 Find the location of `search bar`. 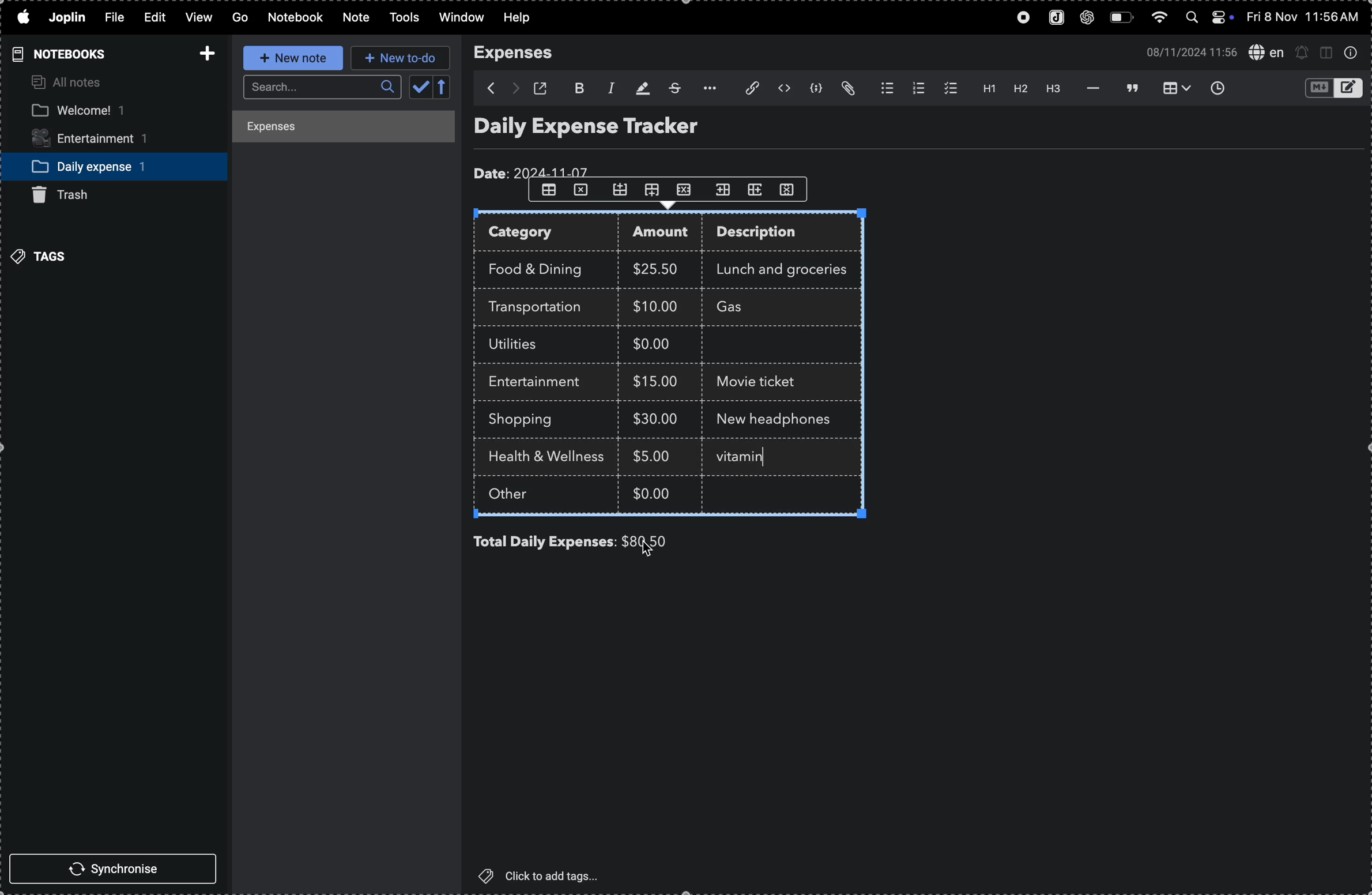

search bar is located at coordinates (319, 88).